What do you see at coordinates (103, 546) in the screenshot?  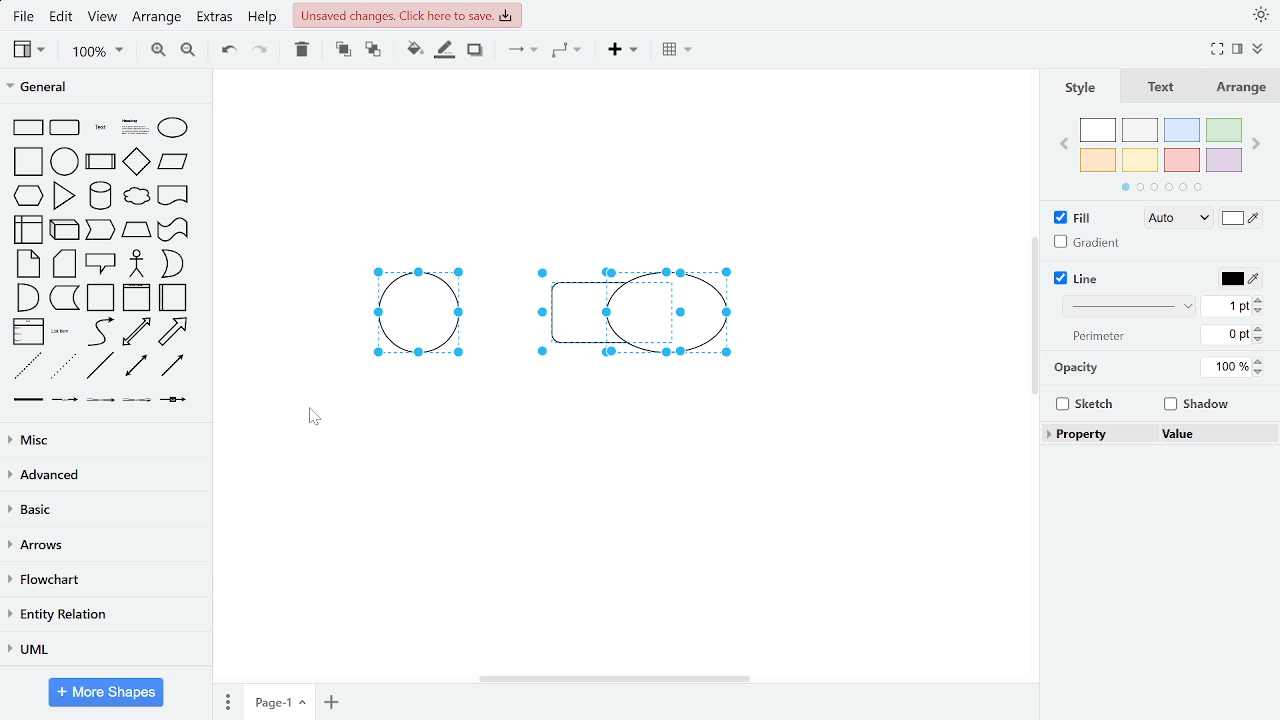 I see `arrows` at bounding box center [103, 546].